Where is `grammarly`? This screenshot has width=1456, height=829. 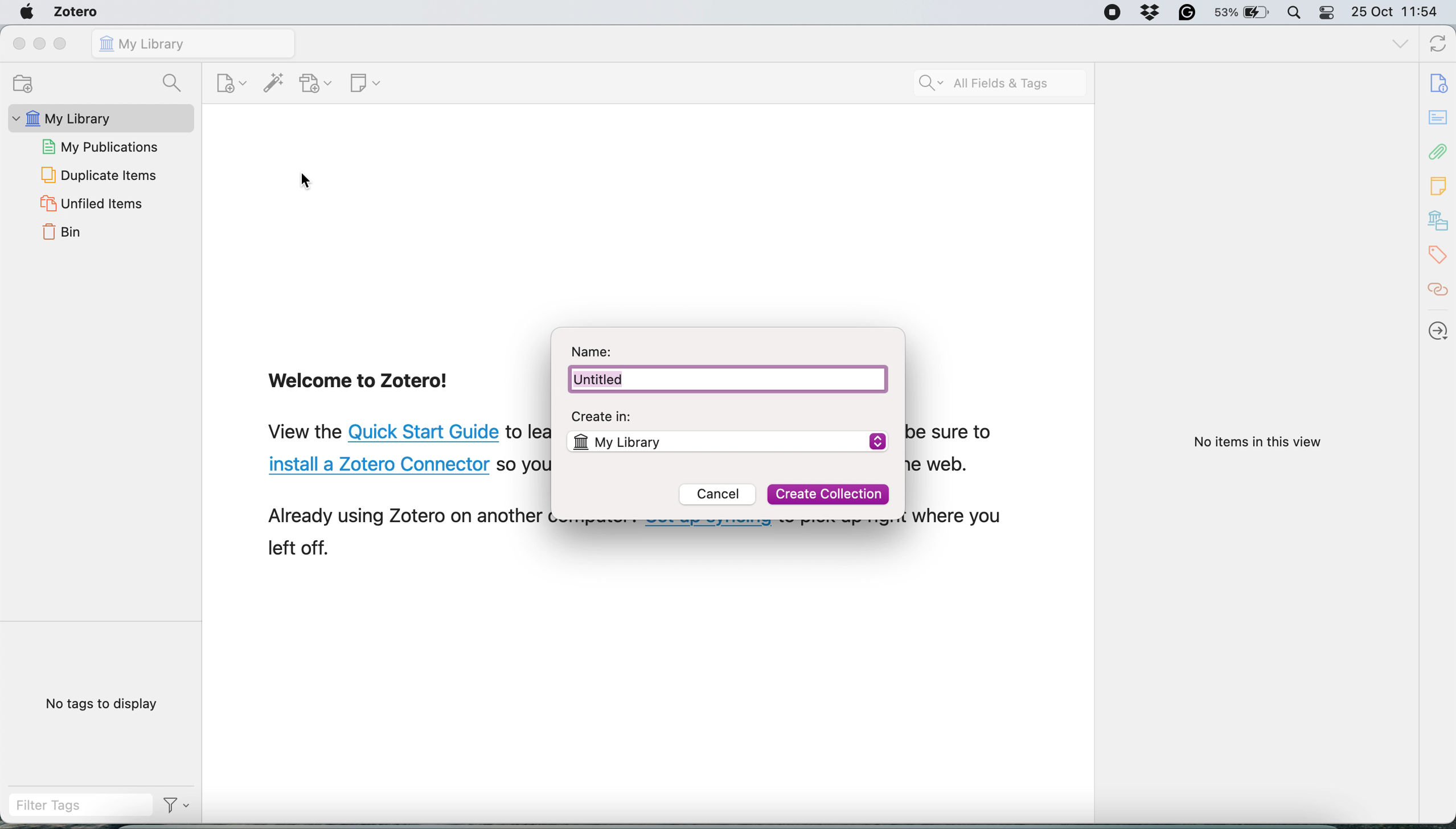
grammarly is located at coordinates (1187, 13).